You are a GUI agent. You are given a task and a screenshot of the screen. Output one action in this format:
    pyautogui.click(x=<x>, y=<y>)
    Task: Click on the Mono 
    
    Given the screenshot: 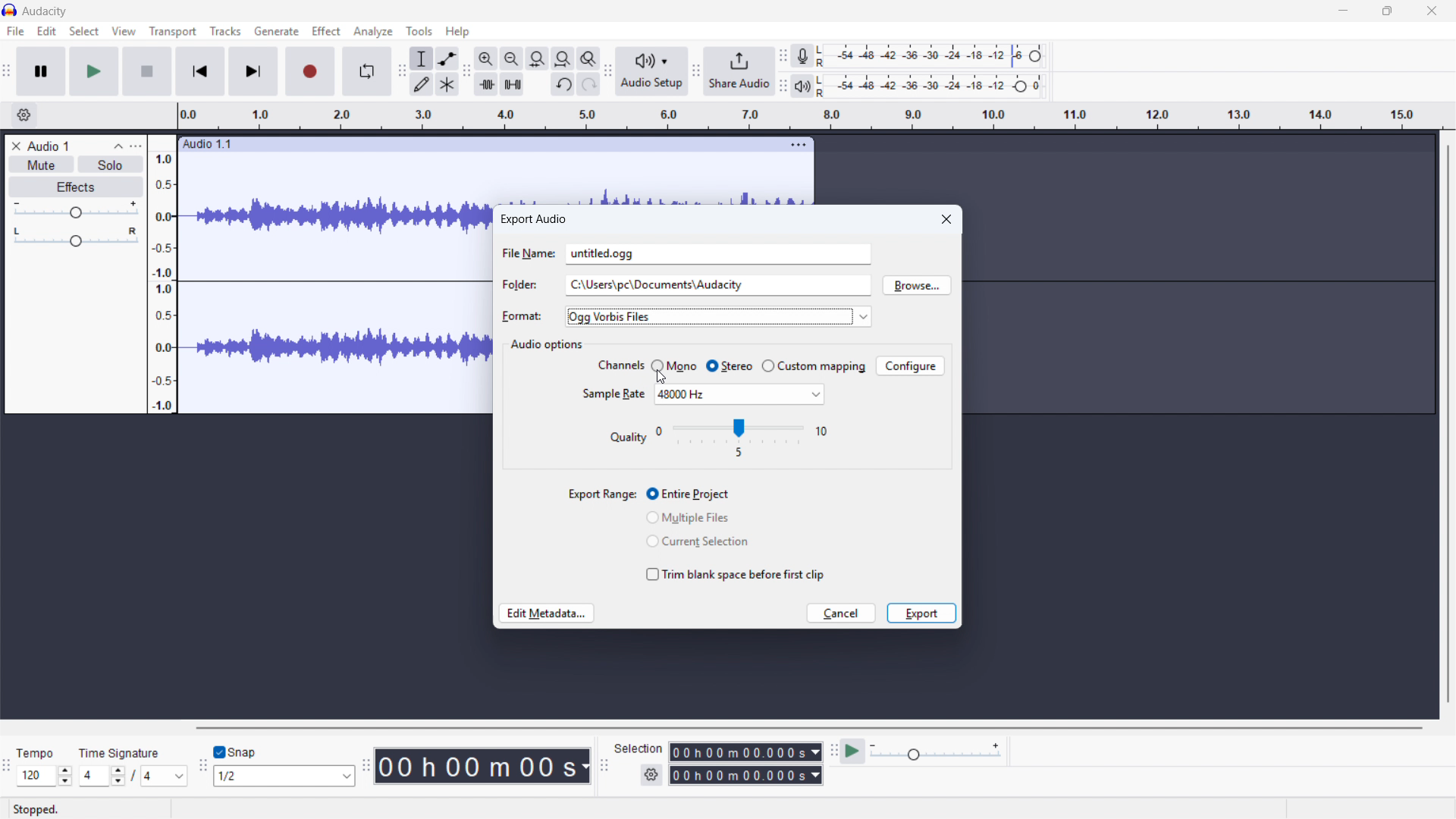 What is the action you would take?
    pyautogui.click(x=675, y=366)
    